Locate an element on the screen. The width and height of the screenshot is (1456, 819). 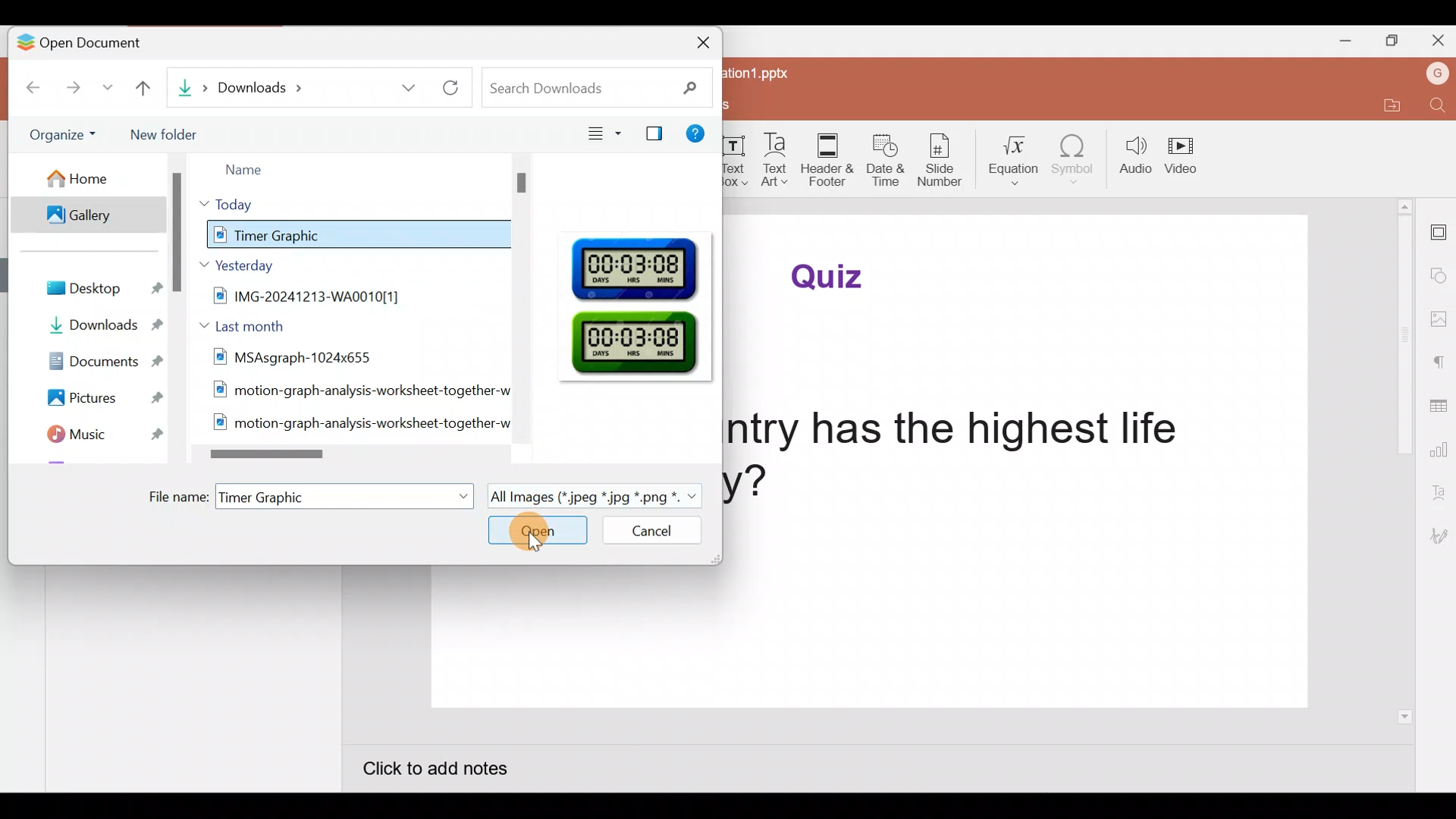
Image settings is located at coordinates (1441, 321).